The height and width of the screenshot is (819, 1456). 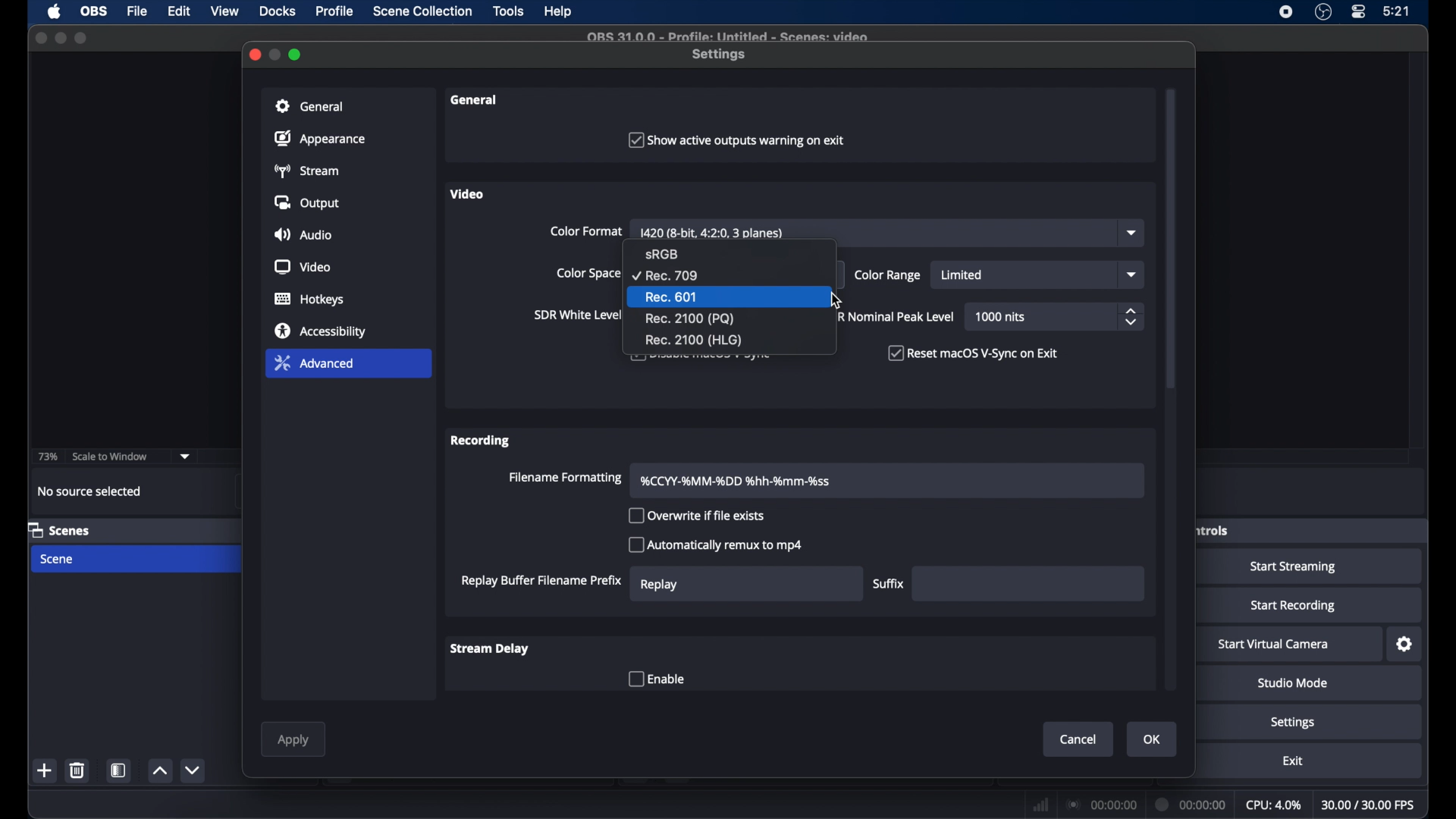 I want to click on dropdown, so click(x=1132, y=232).